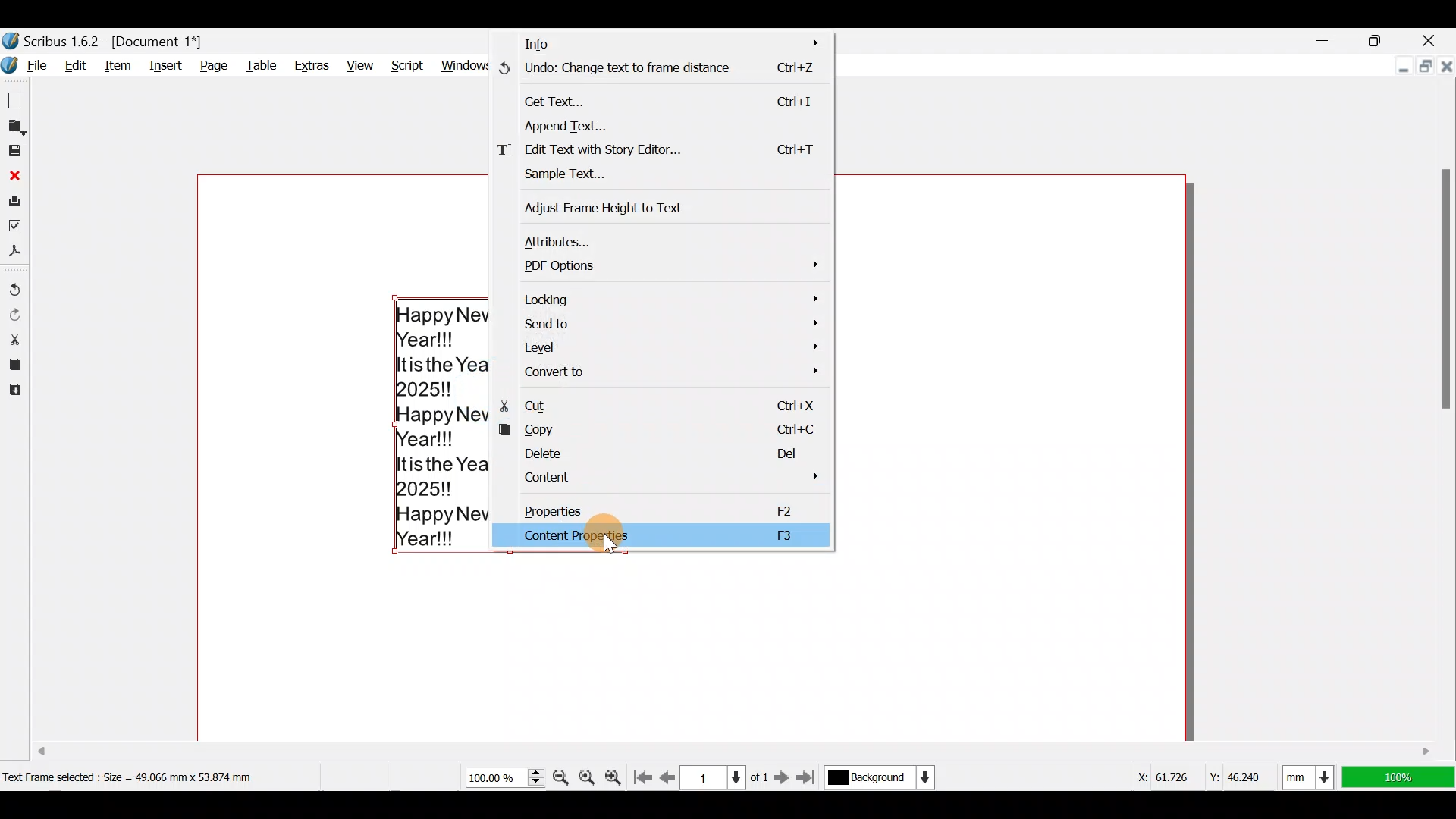 Image resolution: width=1456 pixels, height=819 pixels. Describe the element at coordinates (466, 61) in the screenshot. I see `Windows` at that location.